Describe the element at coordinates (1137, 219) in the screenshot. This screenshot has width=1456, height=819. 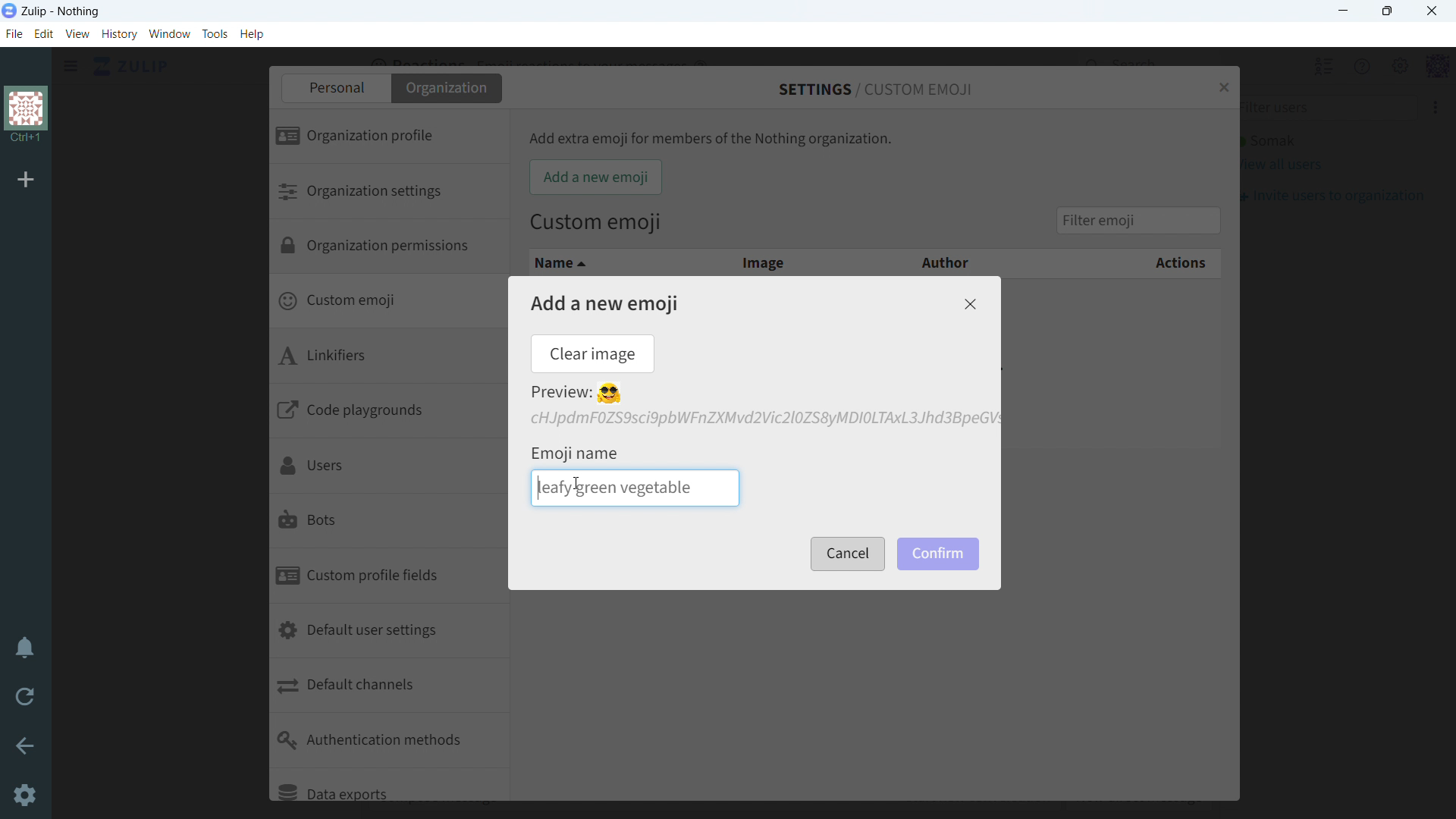
I see `filter emoji` at that location.